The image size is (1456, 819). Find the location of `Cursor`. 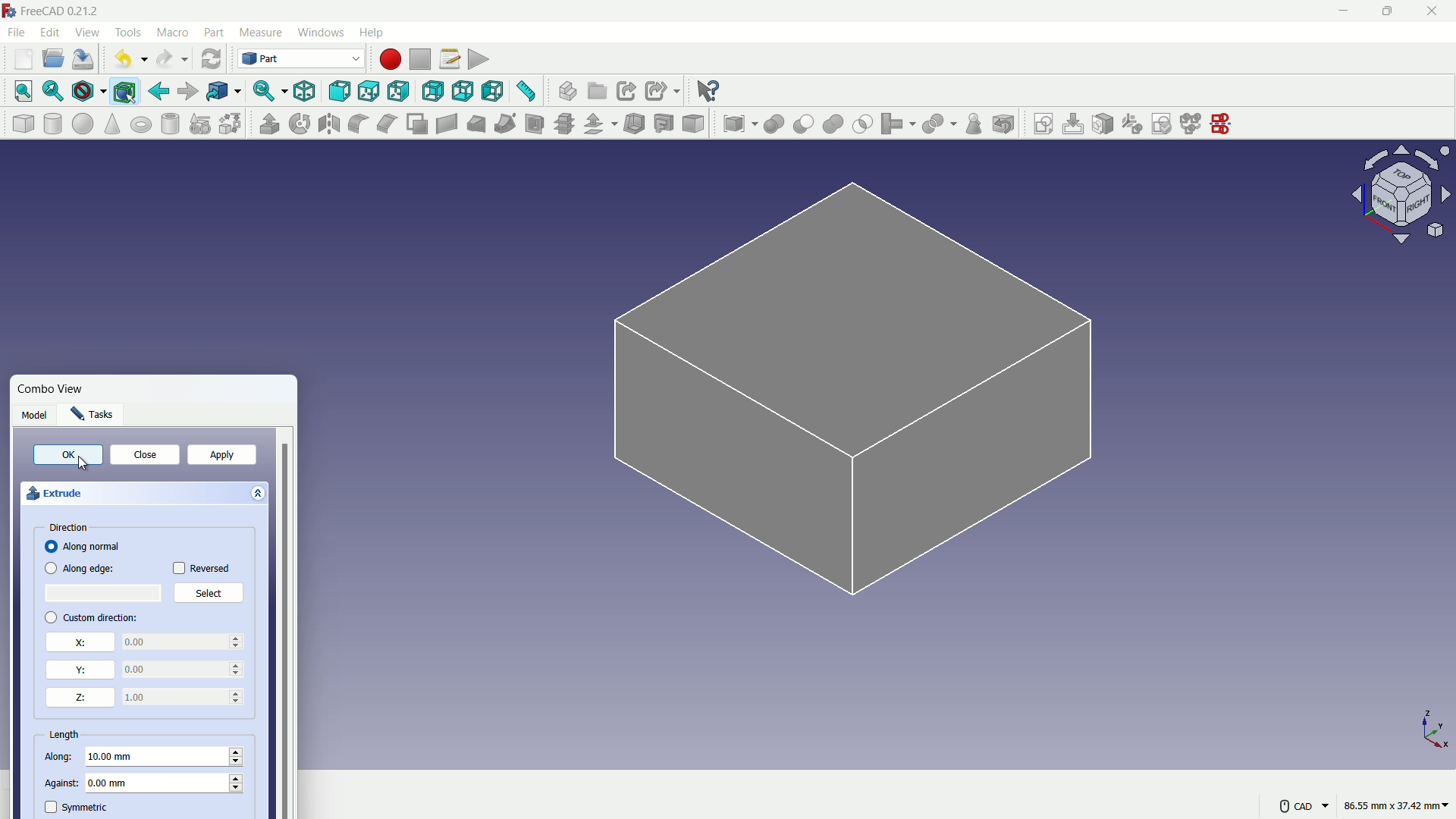

Cursor is located at coordinates (83, 463).